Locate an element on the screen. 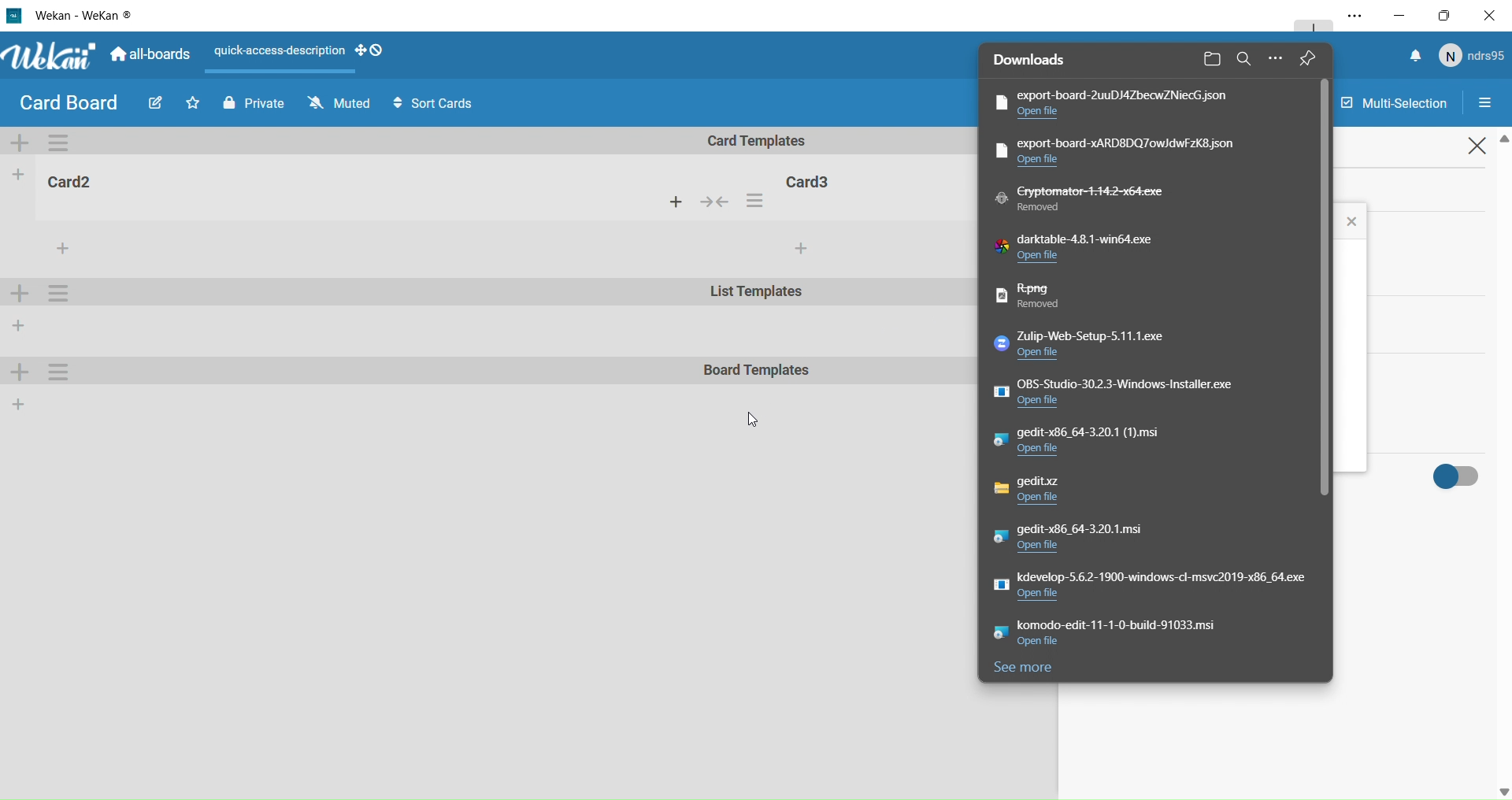 The height and width of the screenshot is (800, 1512). minimize is located at coordinates (1399, 14).